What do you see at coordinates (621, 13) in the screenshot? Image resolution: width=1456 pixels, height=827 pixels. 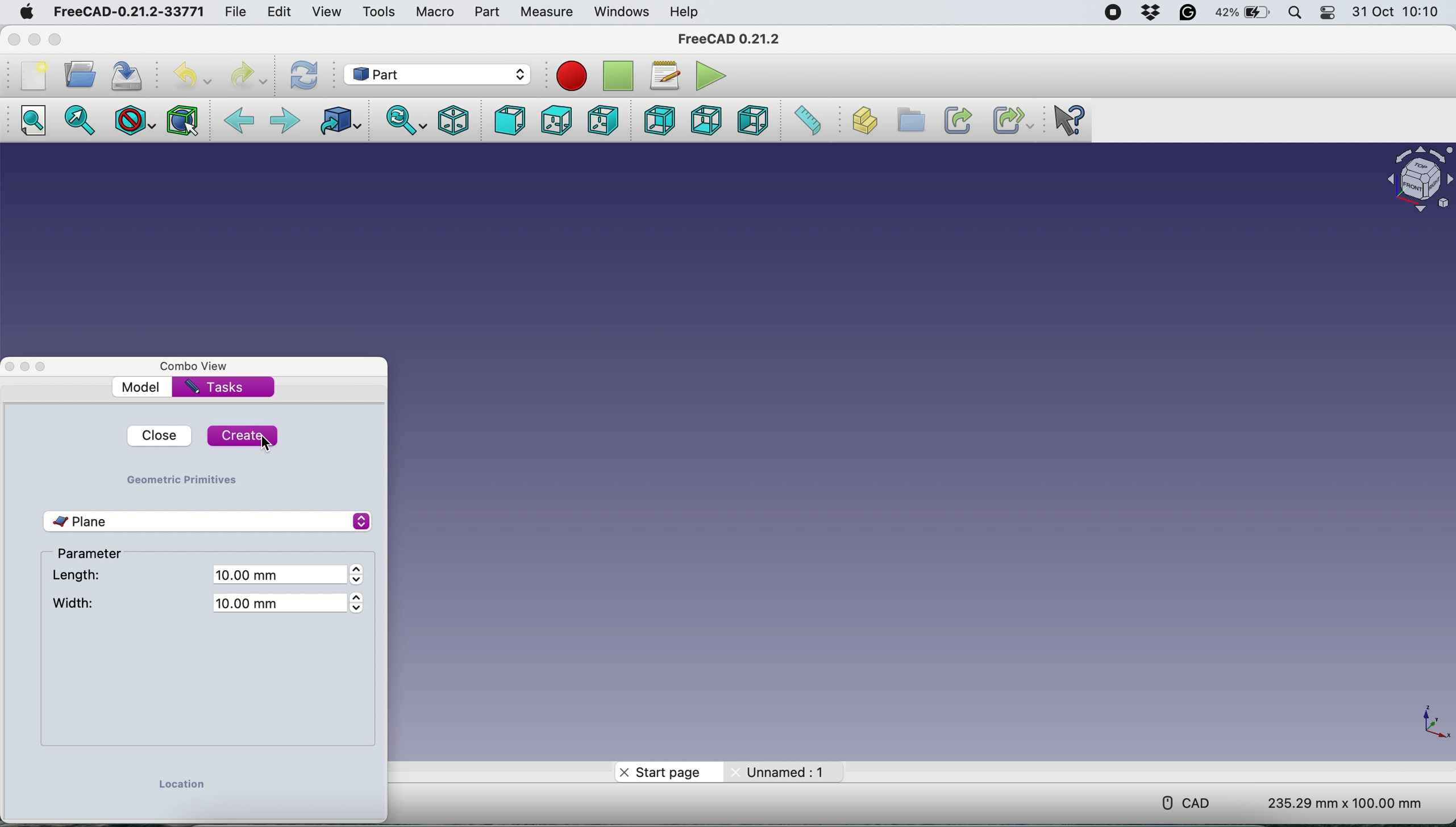 I see `Windows` at bounding box center [621, 13].